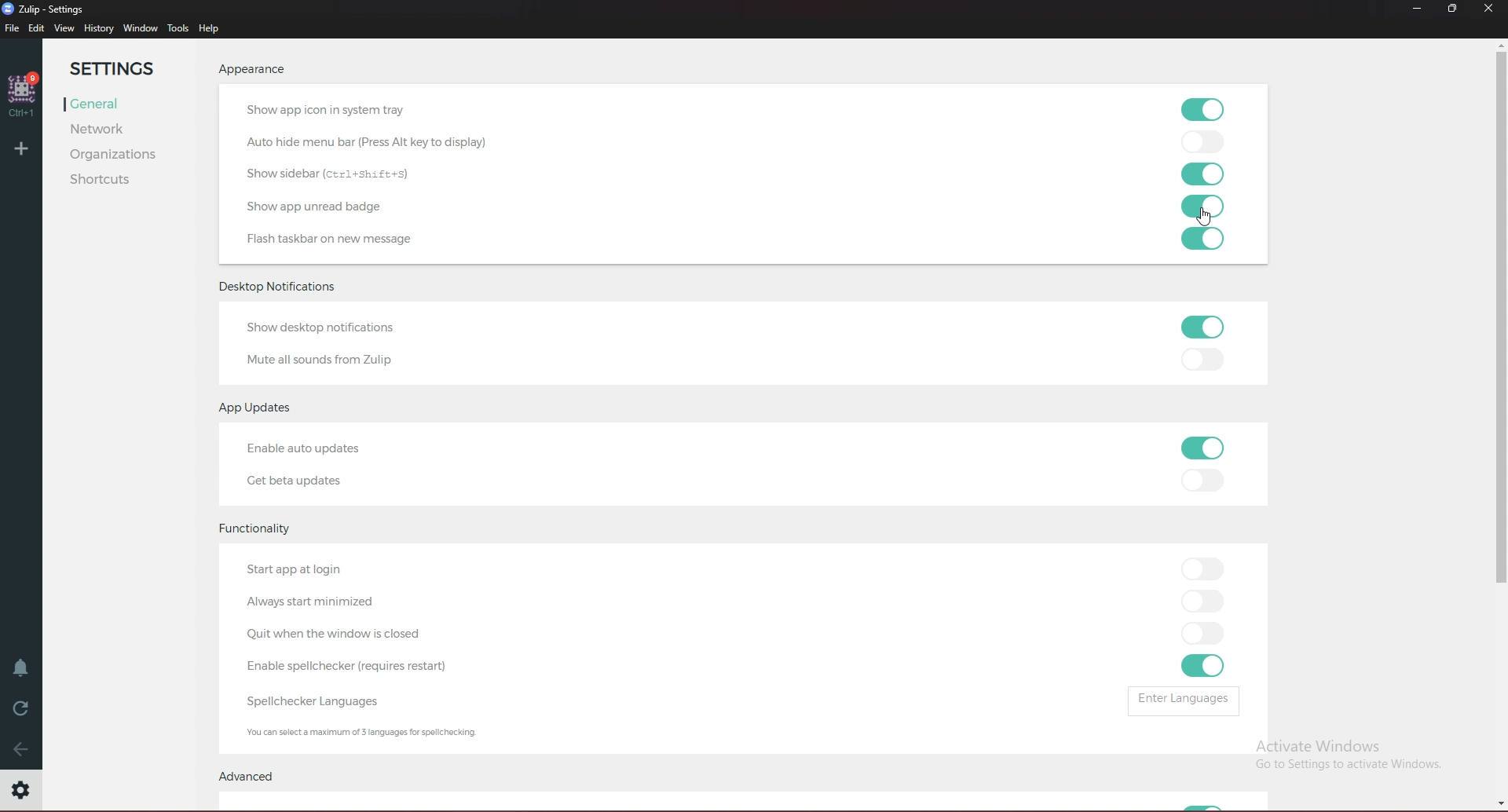 The image size is (1508, 812). I want to click on History, so click(99, 28).